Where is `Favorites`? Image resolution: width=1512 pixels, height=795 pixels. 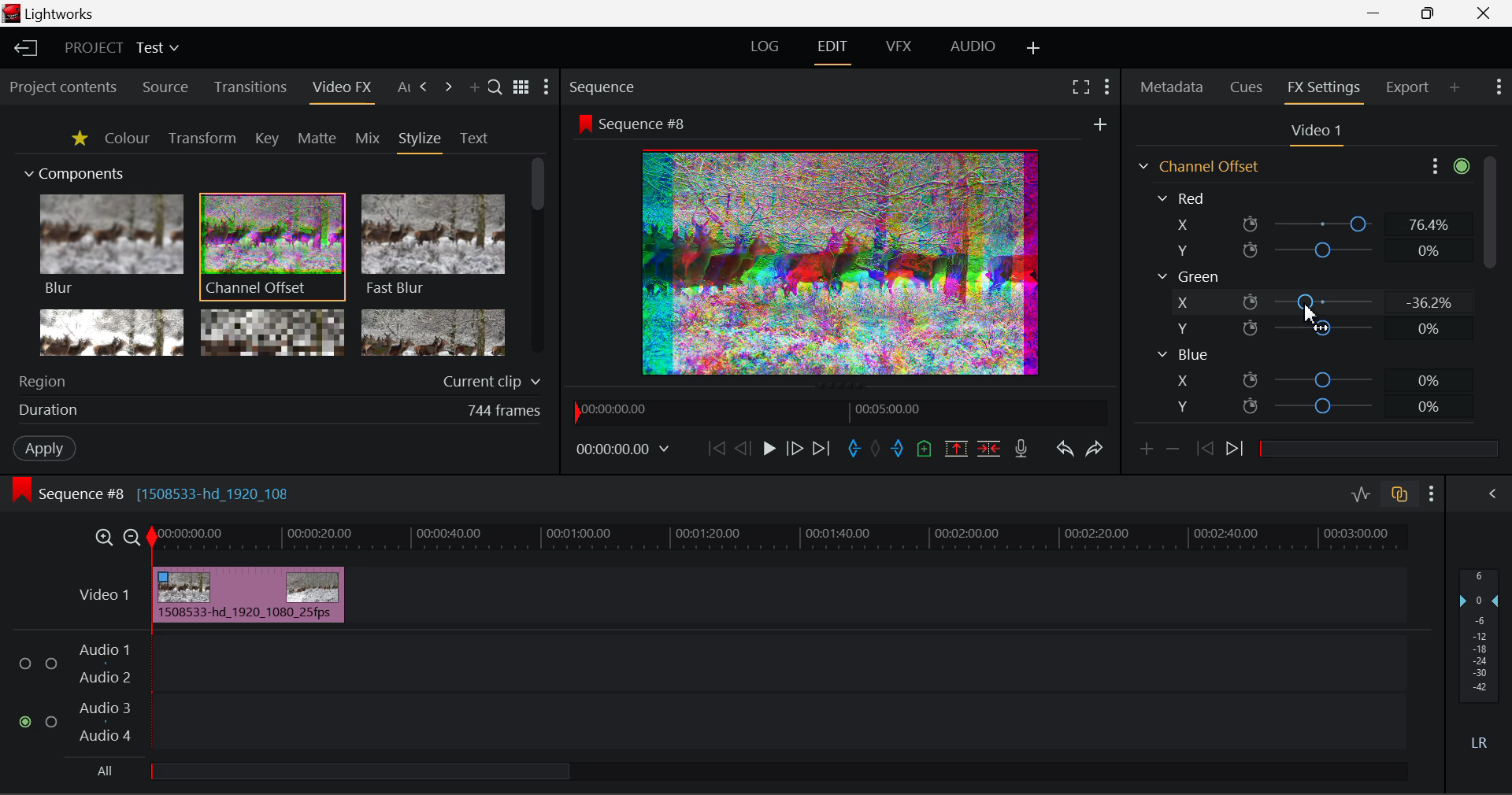
Favorites is located at coordinates (79, 140).